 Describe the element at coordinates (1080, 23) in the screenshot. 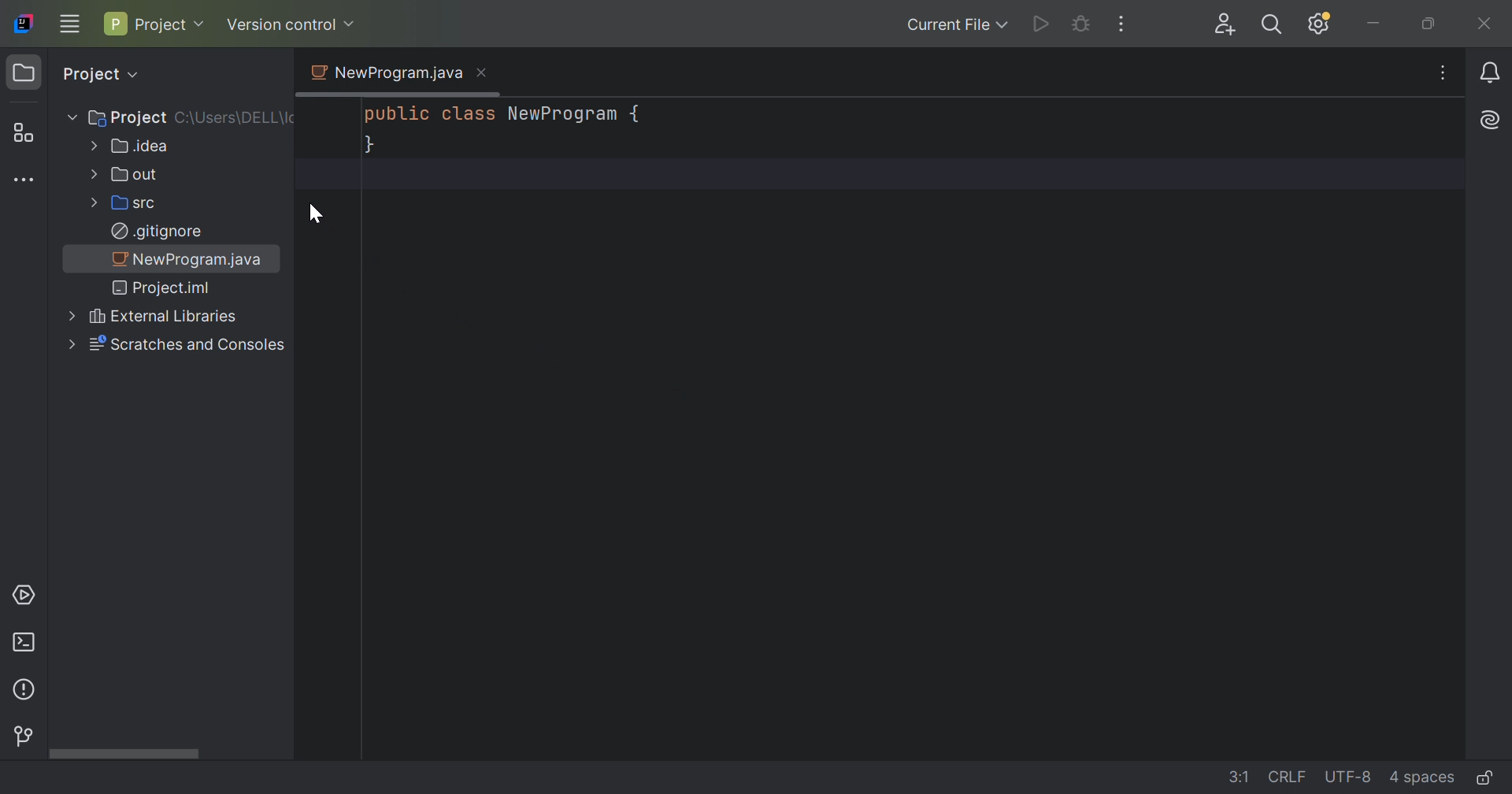

I see `Debug NewProgram.java` at that location.